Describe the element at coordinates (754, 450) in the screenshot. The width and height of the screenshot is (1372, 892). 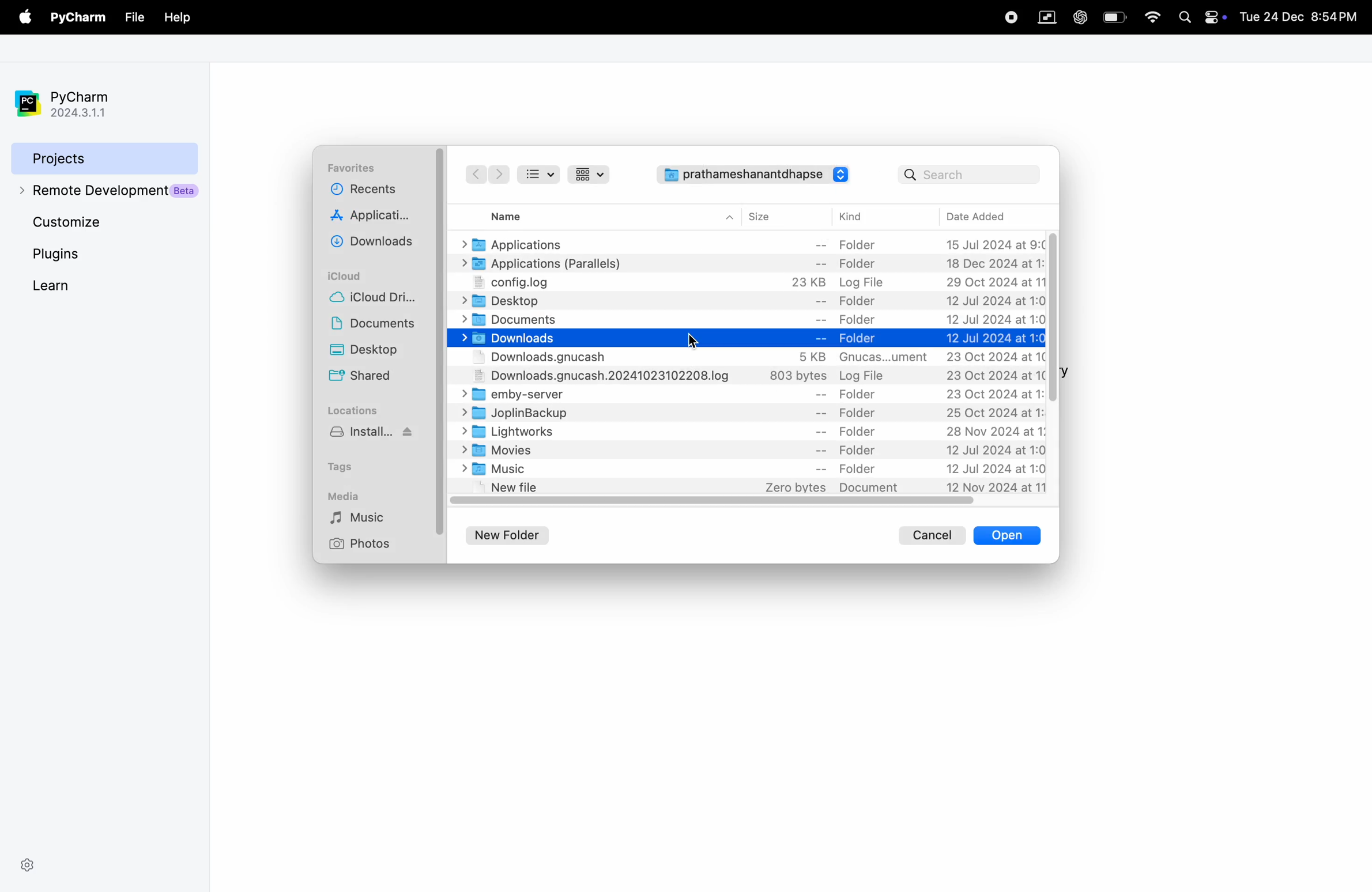
I see `movies` at that location.